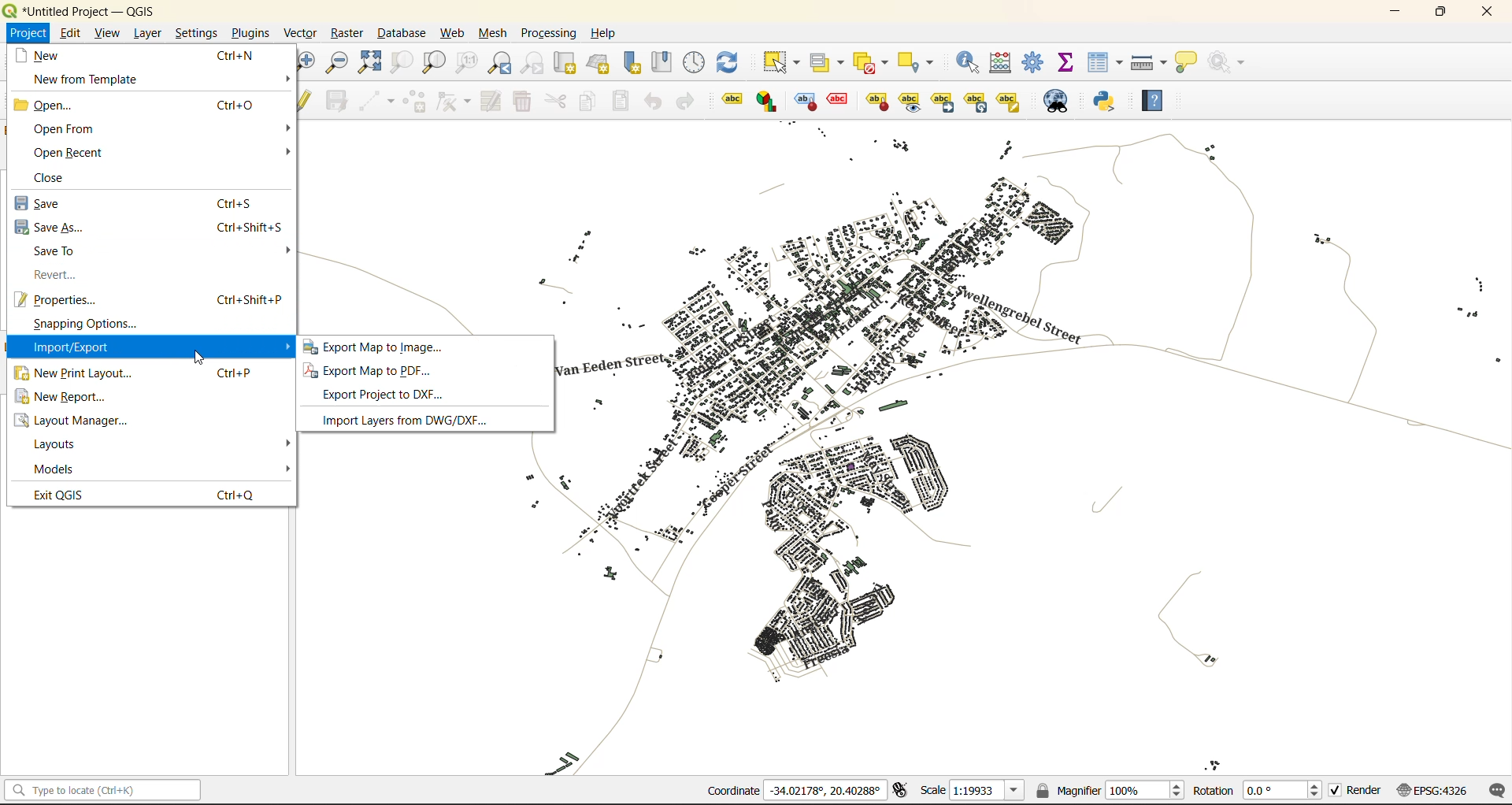 The image size is (1512, 805). Describe the element at coordinates (63, 299) in the screenshot. I see `properties` at that location.